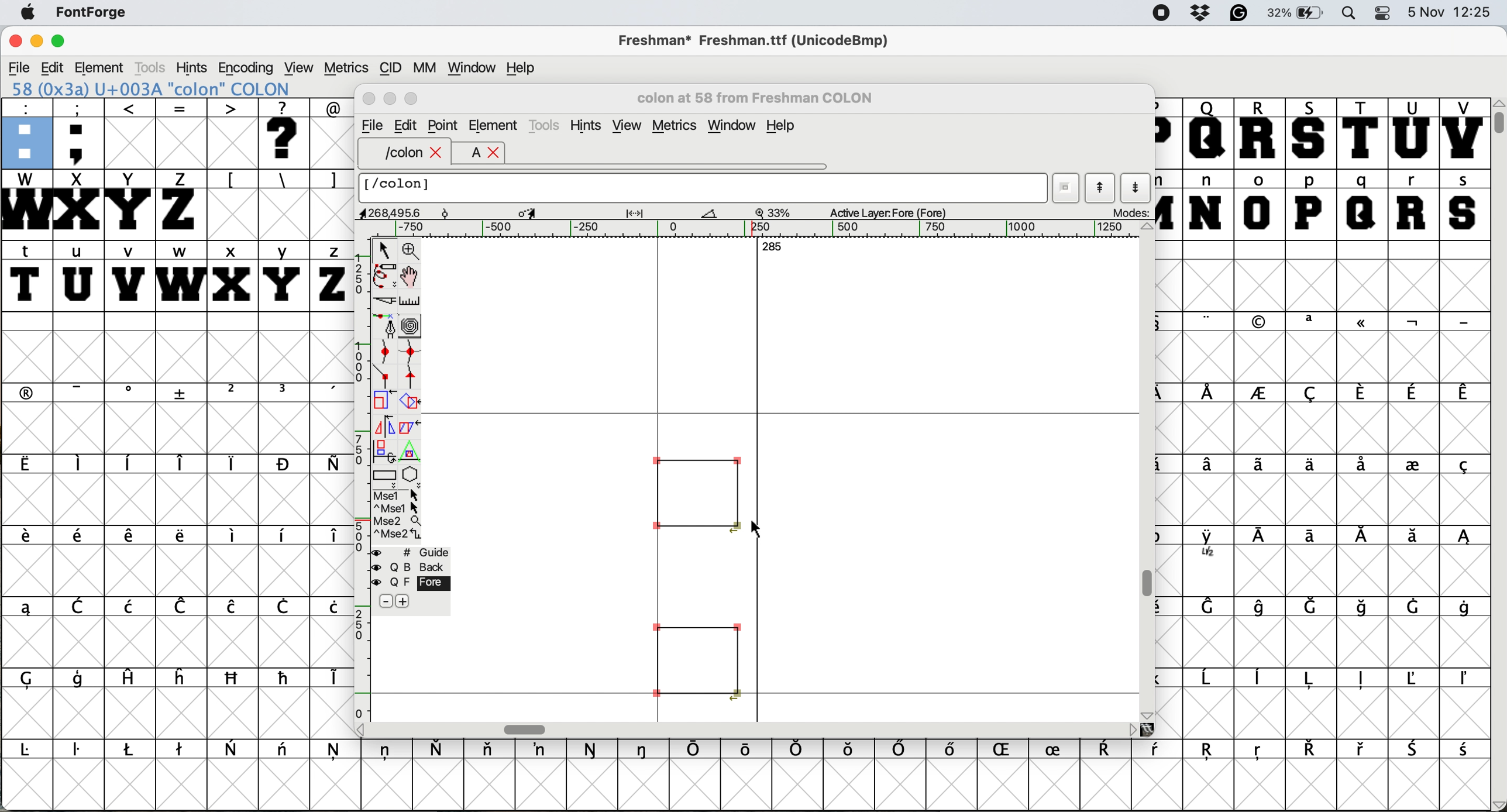  What do you see at coordinates (1315, 537) in the screenshot?
I see `symbol` at bounding box center [1315, 537].